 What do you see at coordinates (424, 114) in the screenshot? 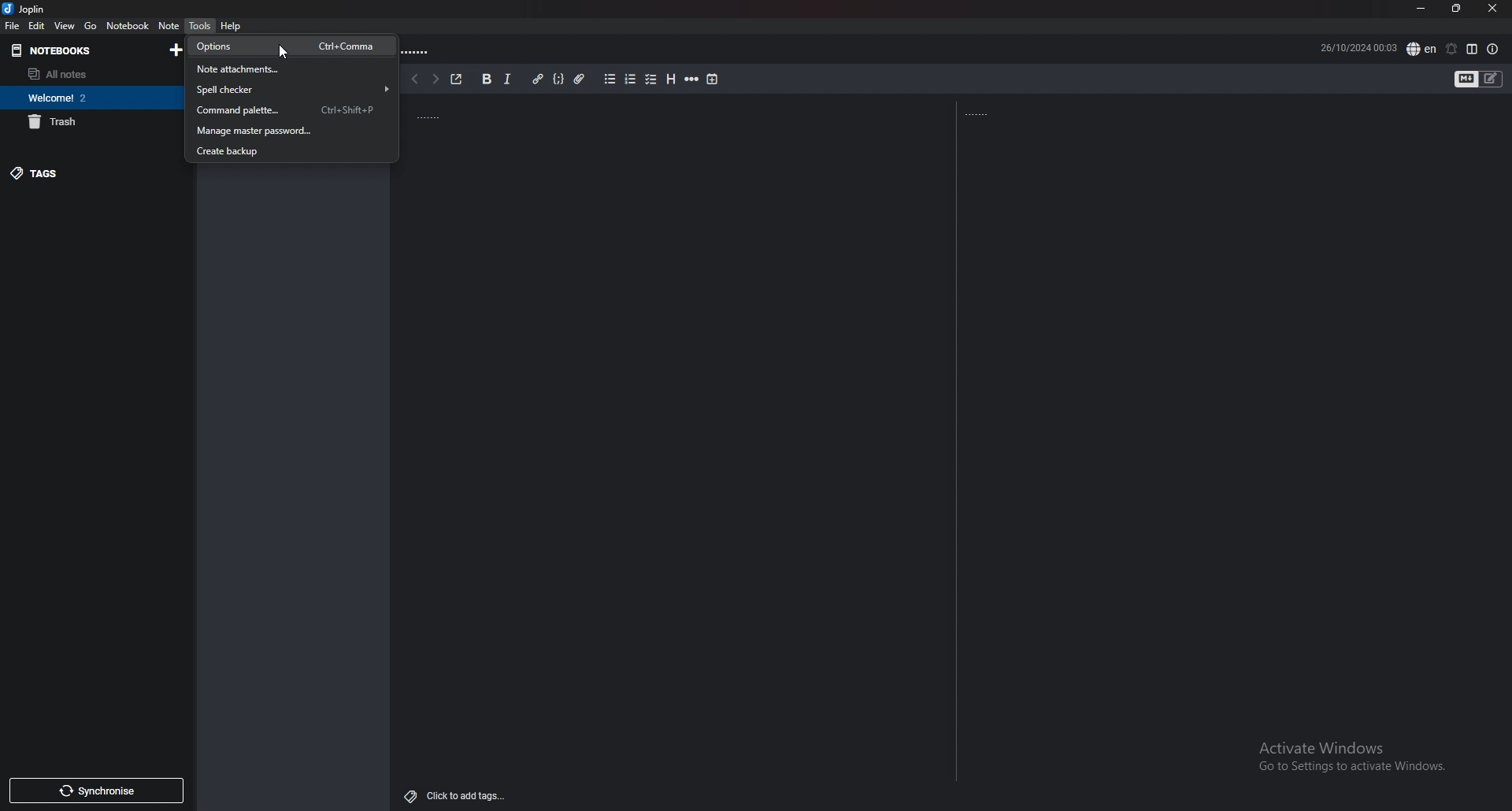
I see `notes title` at bounding box center [424, 114].